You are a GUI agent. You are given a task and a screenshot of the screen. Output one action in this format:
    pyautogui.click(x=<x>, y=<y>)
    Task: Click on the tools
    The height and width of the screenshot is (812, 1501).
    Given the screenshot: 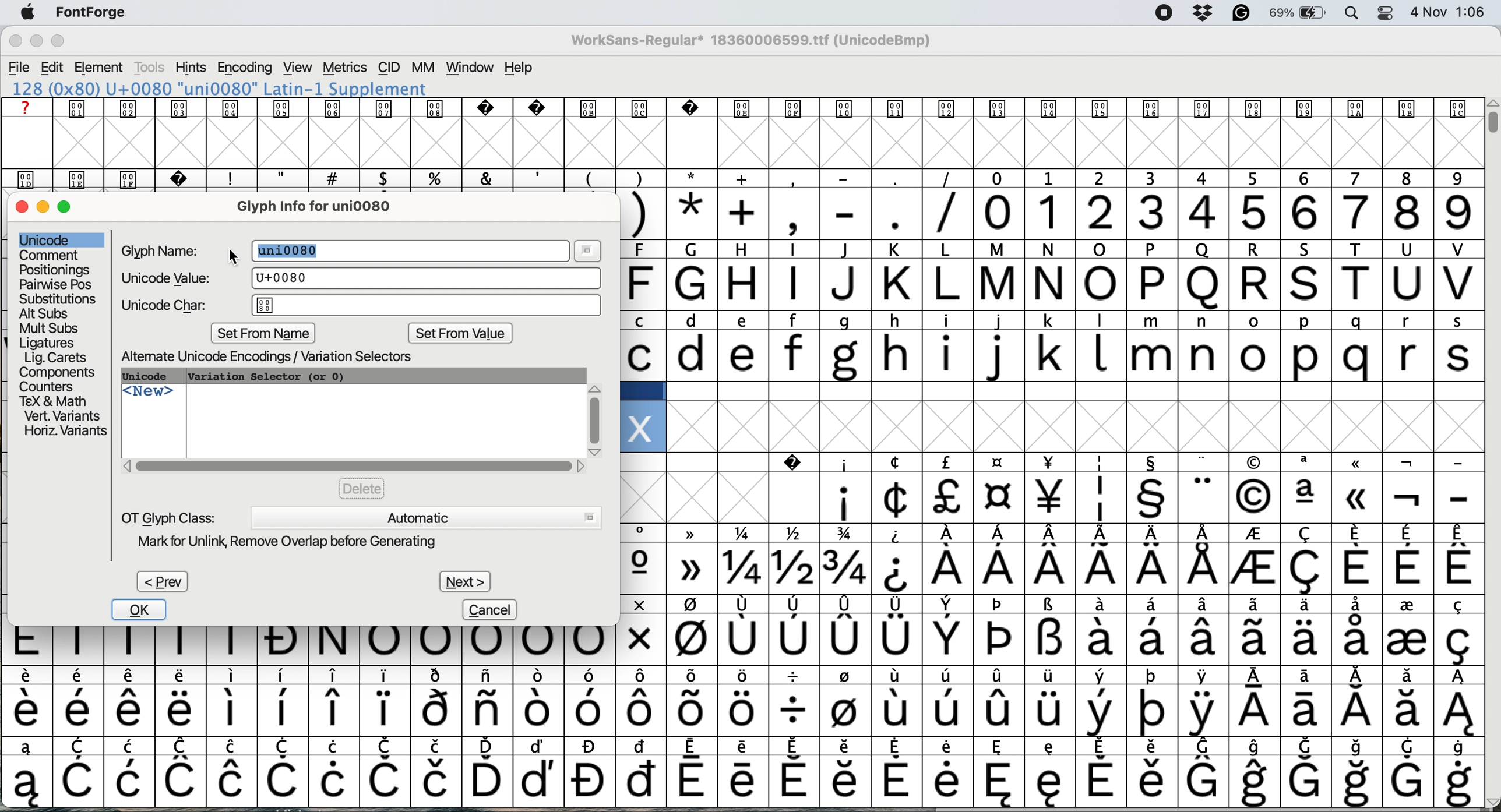 What is the action you would take?
    pyautogui.click(x=150, y=68)
    